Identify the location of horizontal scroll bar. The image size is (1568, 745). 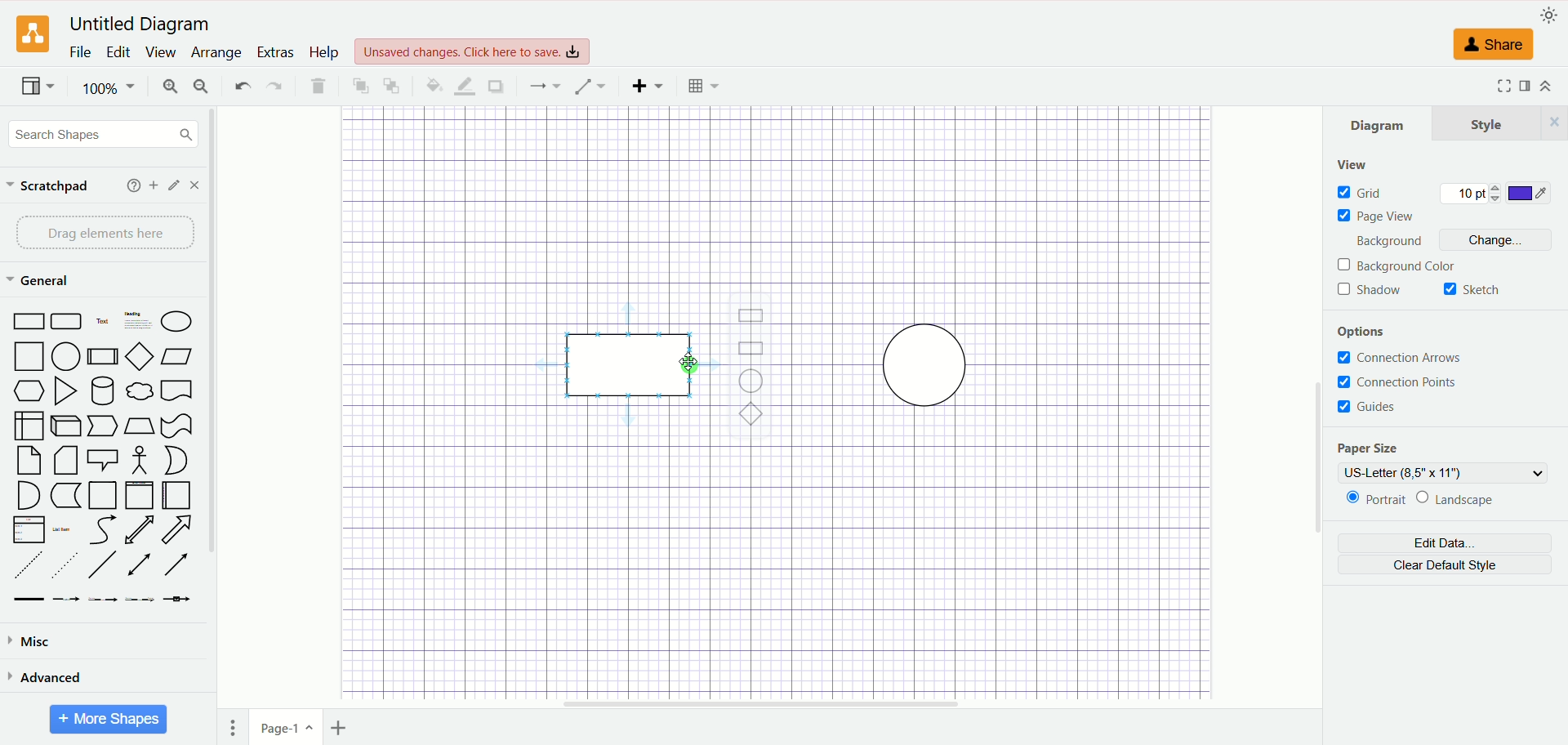
(766, 704).